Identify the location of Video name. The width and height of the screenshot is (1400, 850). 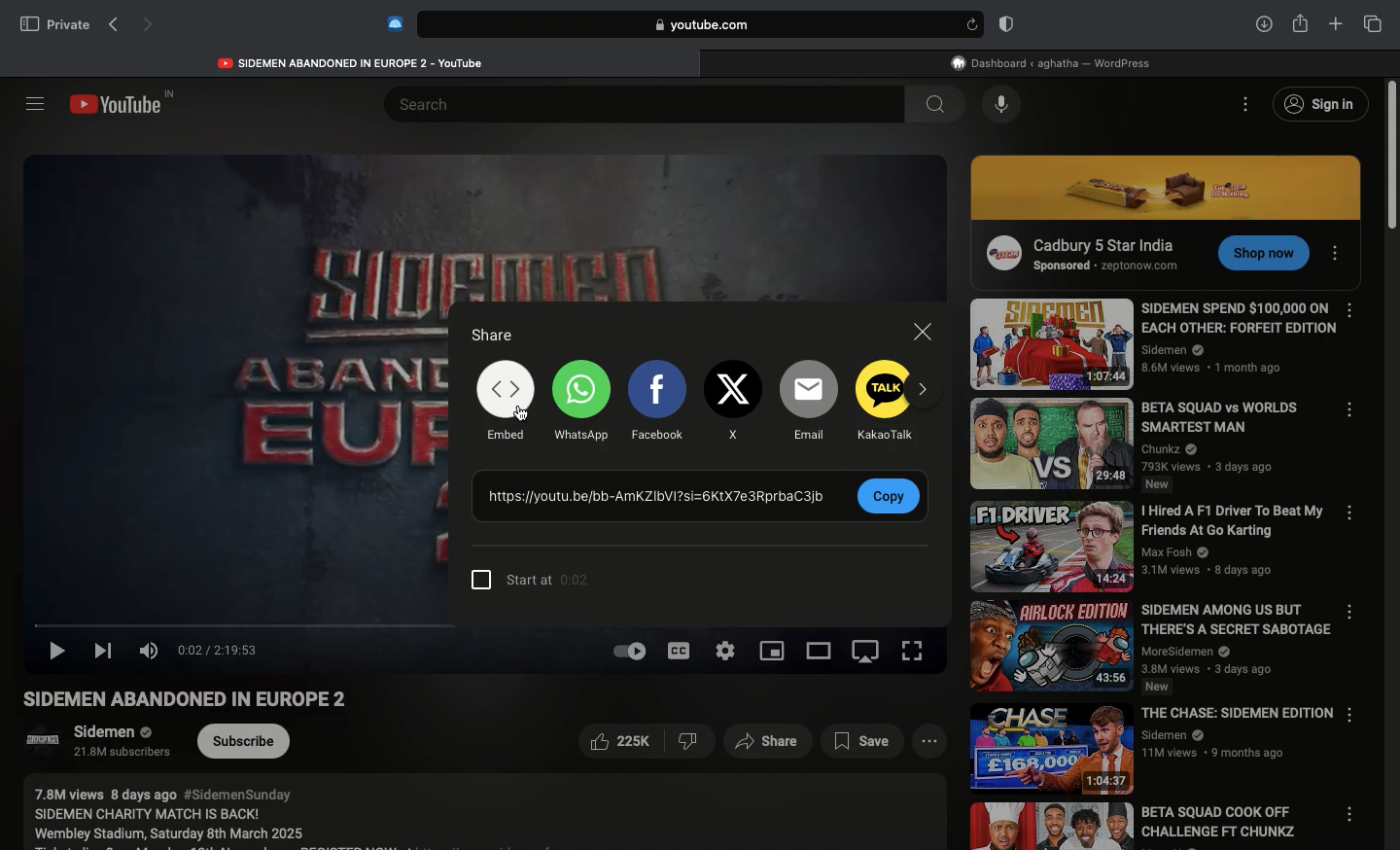
(1154, 745).